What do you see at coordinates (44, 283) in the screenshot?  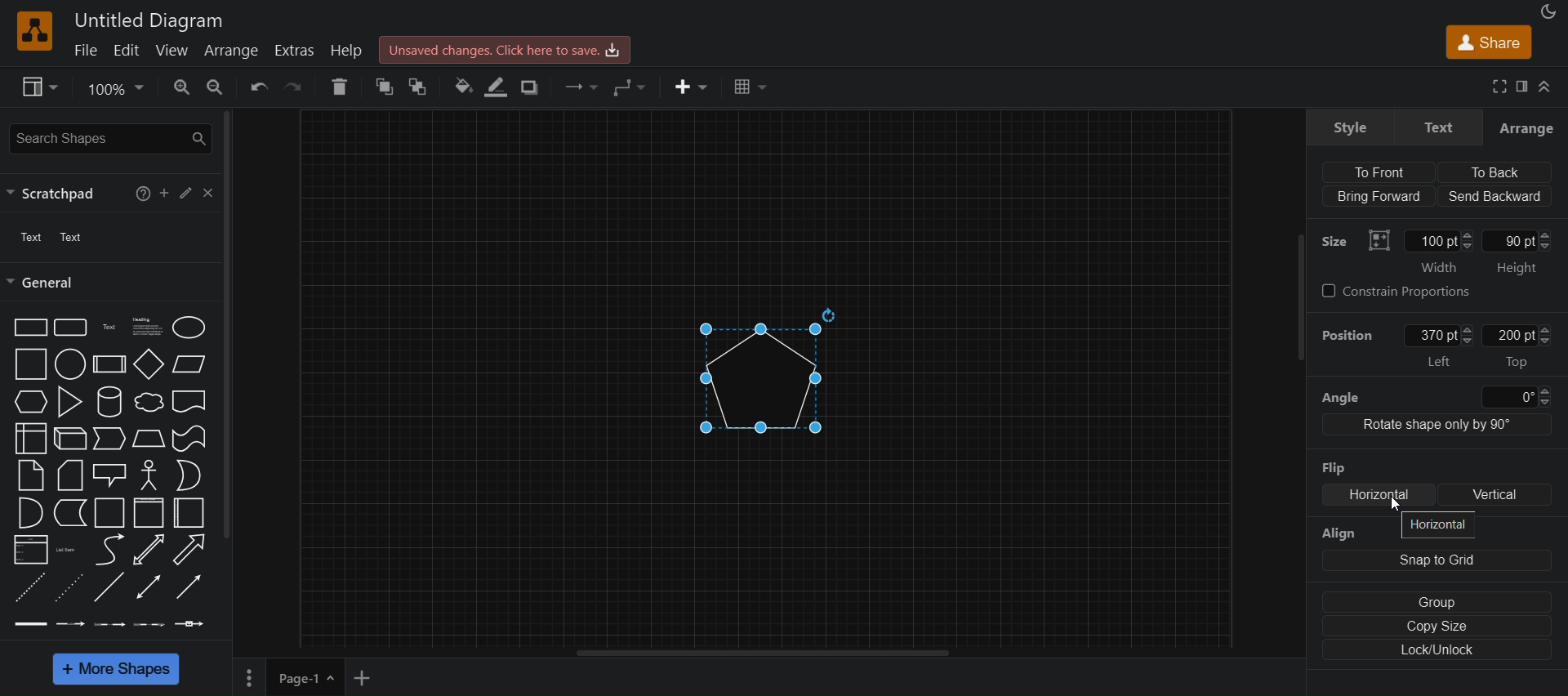 I see `general` at bounding box center [44, 283].